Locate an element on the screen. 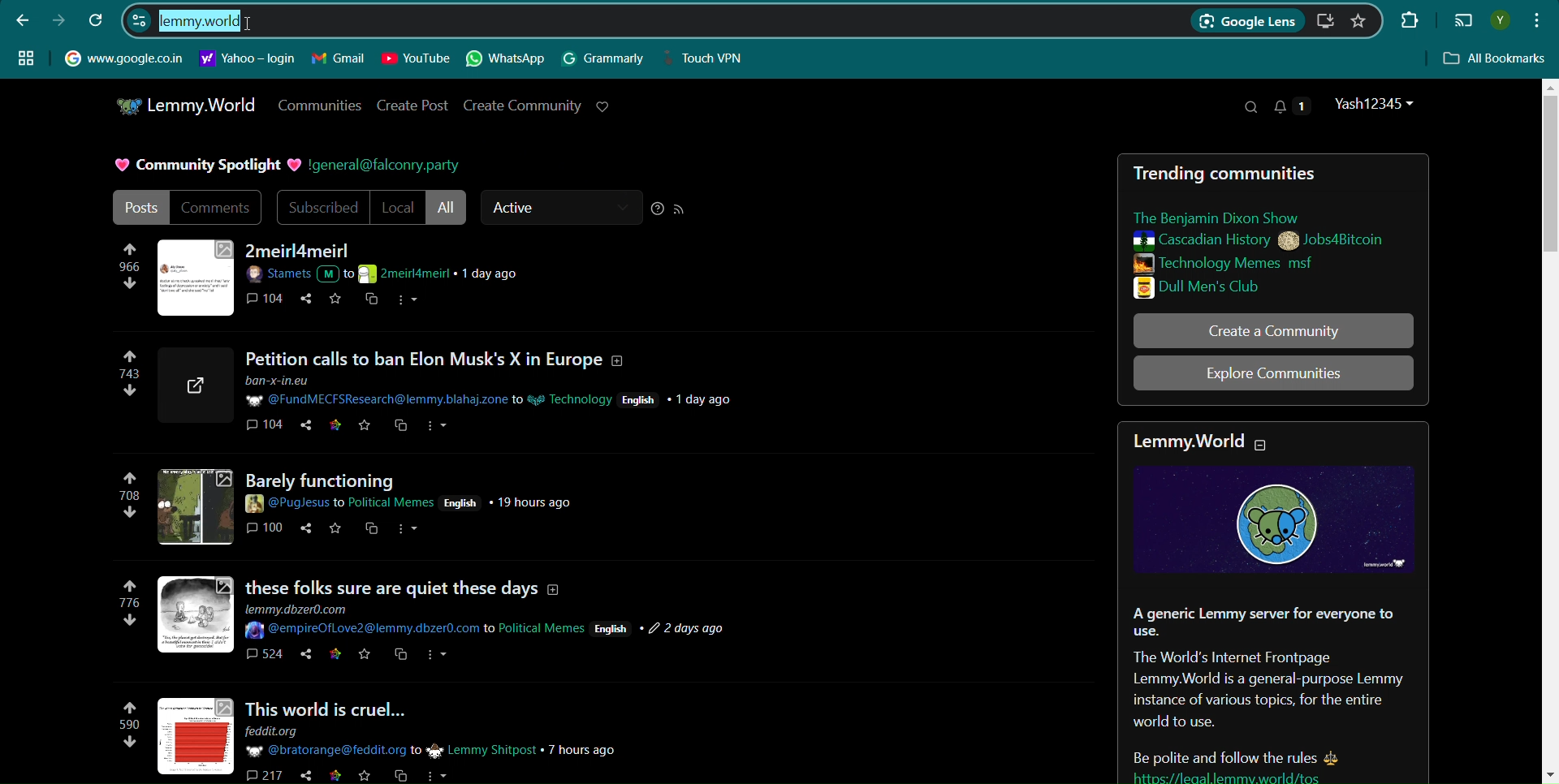 The width and height of the screenshot is (1559, 784). 104 is located at coordinates (263, 429).